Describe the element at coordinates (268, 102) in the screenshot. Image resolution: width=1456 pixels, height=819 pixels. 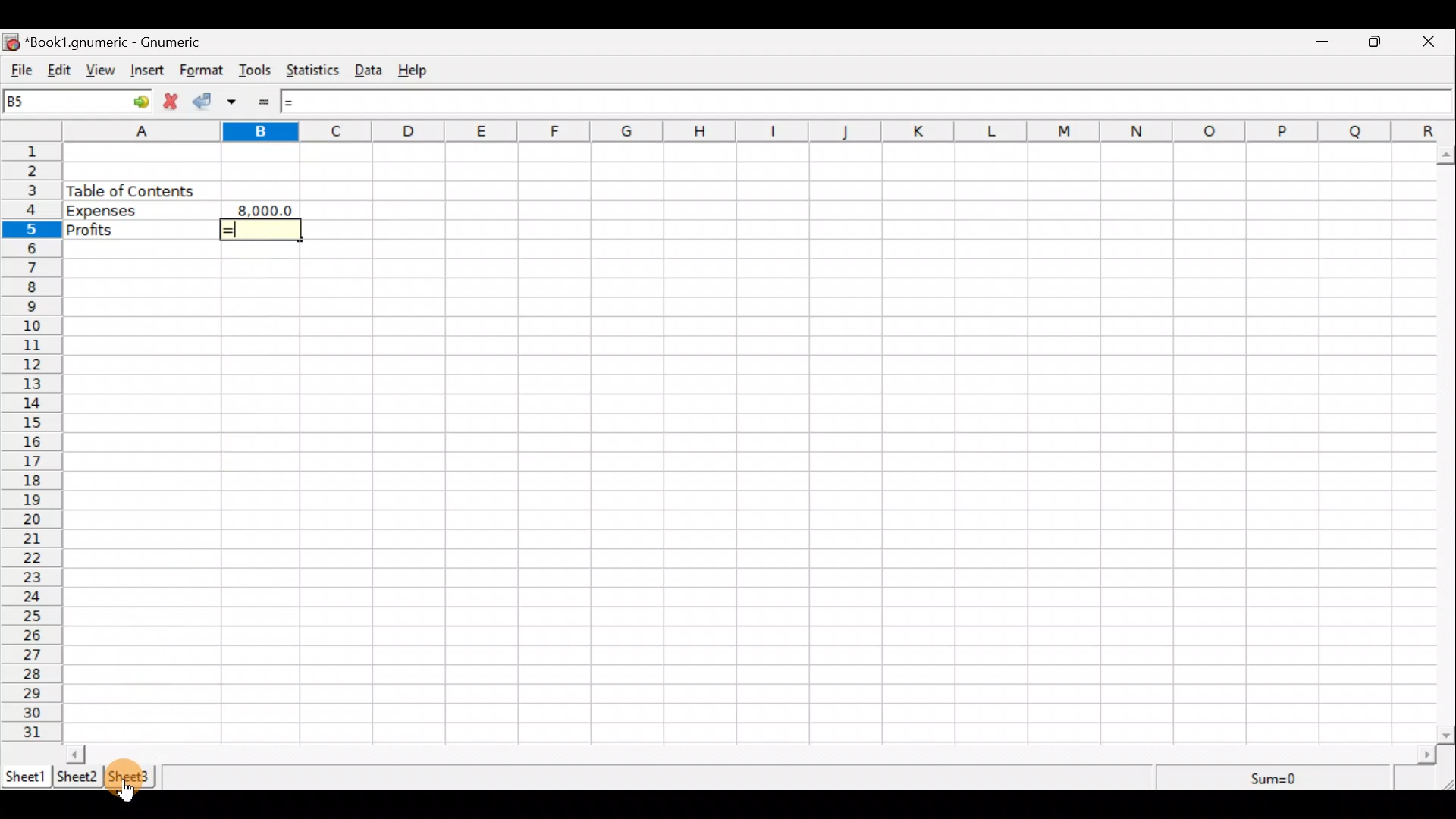
I see `Enter formula` at that location.